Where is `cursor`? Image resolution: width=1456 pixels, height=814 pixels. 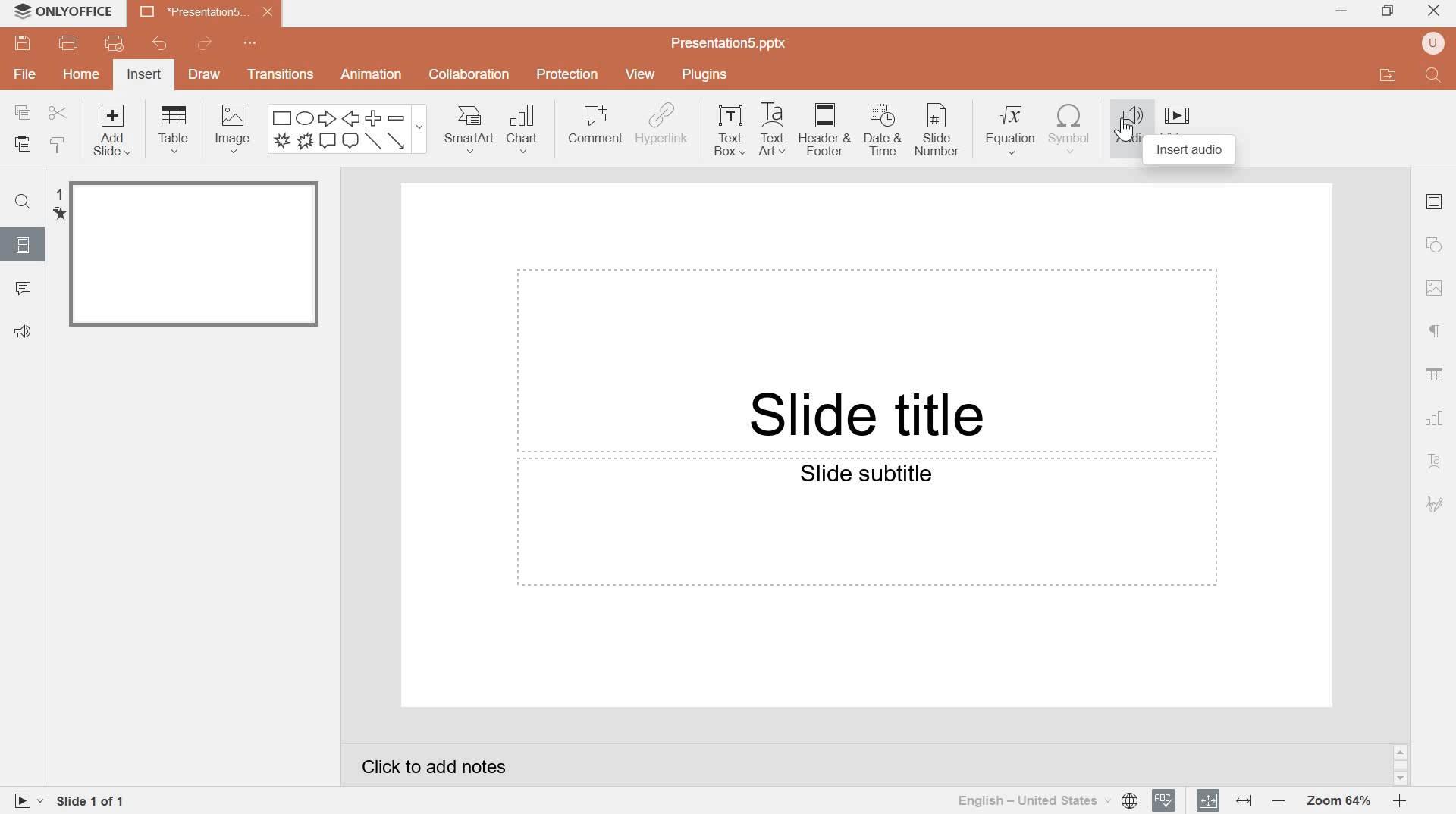
cursor is located at coordinates (1124, 131).